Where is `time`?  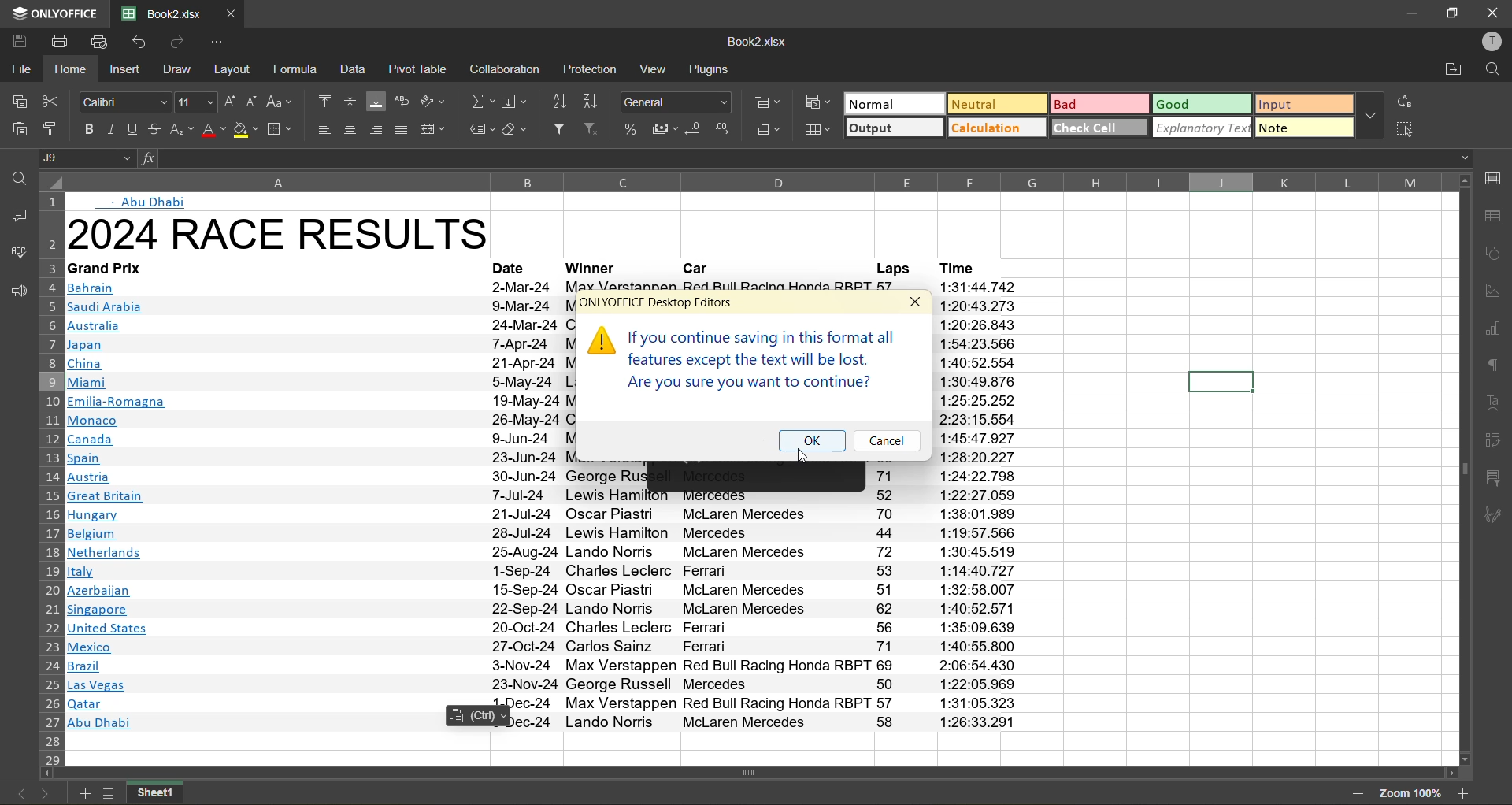 time is located at coordinates (969, 268).